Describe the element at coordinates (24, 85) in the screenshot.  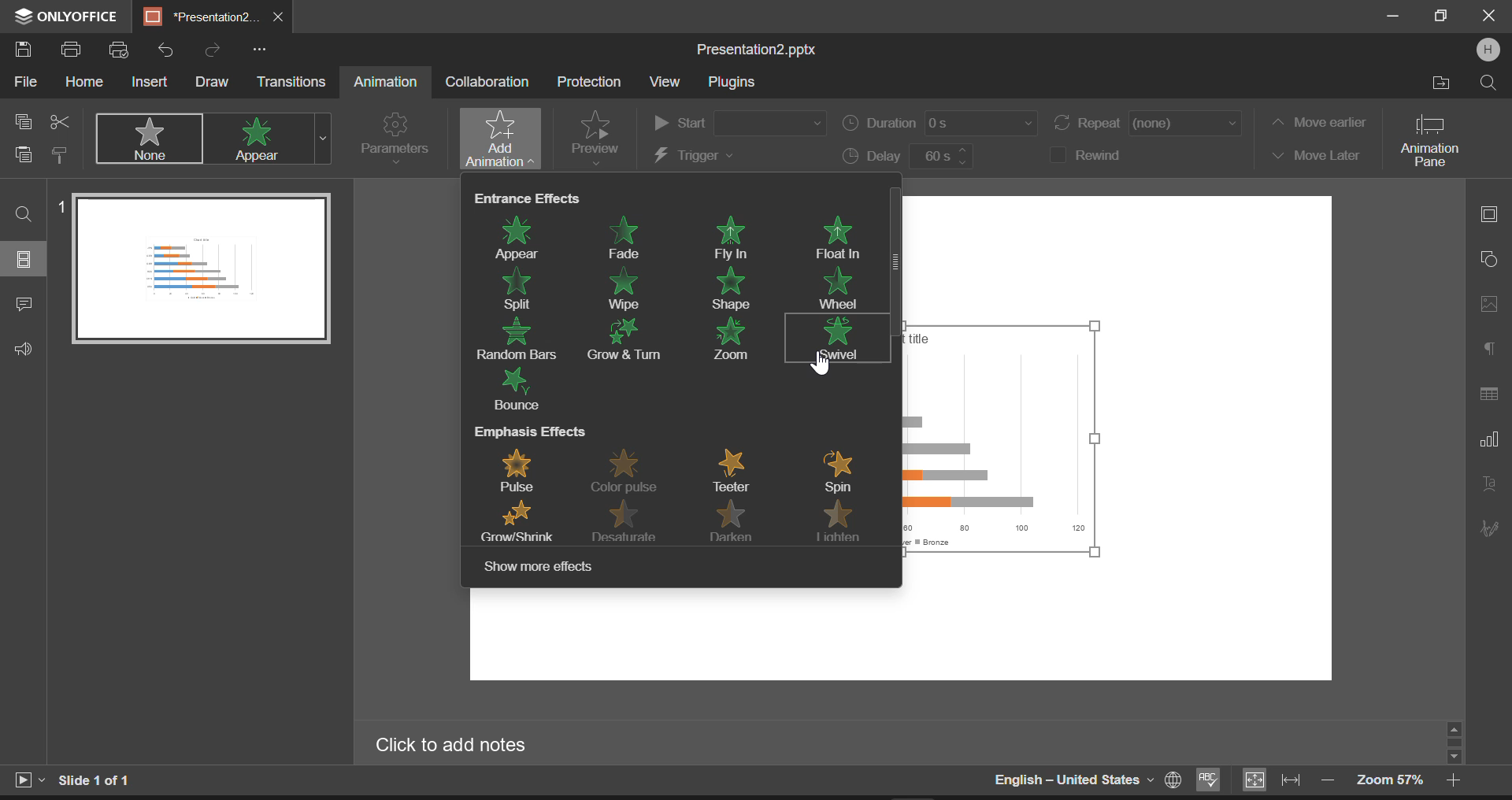
I see `File` at that location.